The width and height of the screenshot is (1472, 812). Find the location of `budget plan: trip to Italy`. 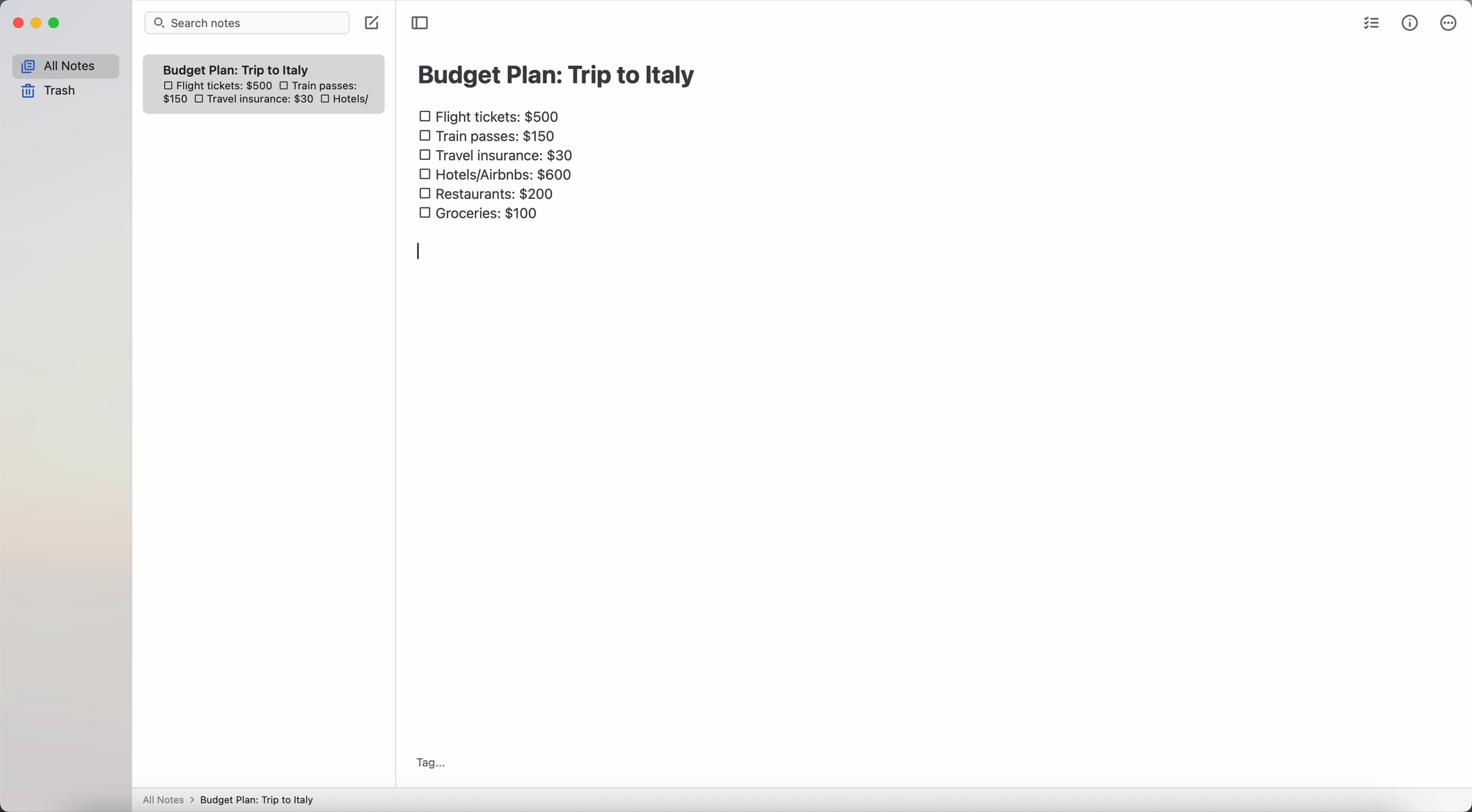

budget plan: trip to Italy is located at coordinates (559, 73).